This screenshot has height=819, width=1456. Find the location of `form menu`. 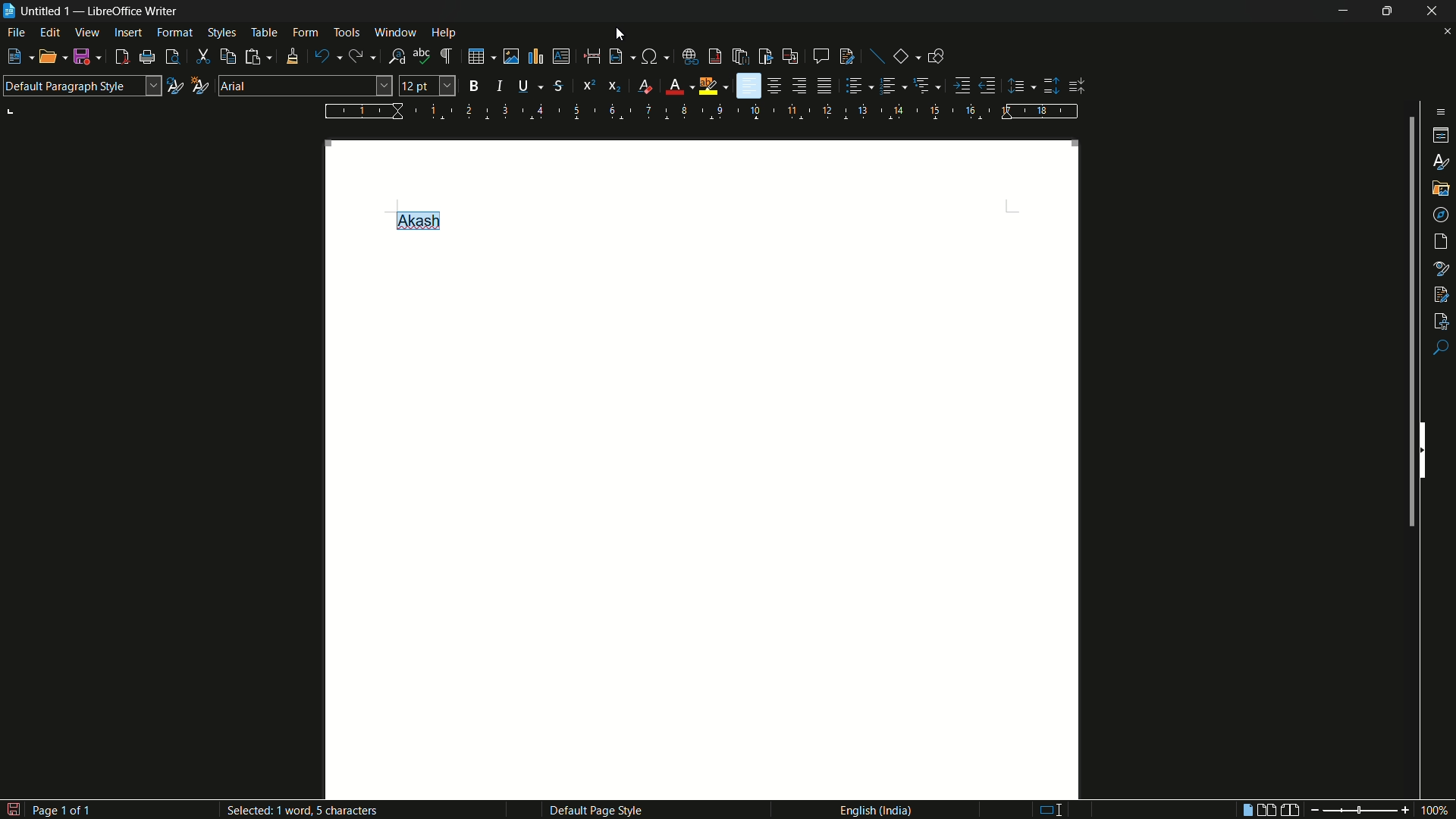

form menu is located at coordinates (305, 32).